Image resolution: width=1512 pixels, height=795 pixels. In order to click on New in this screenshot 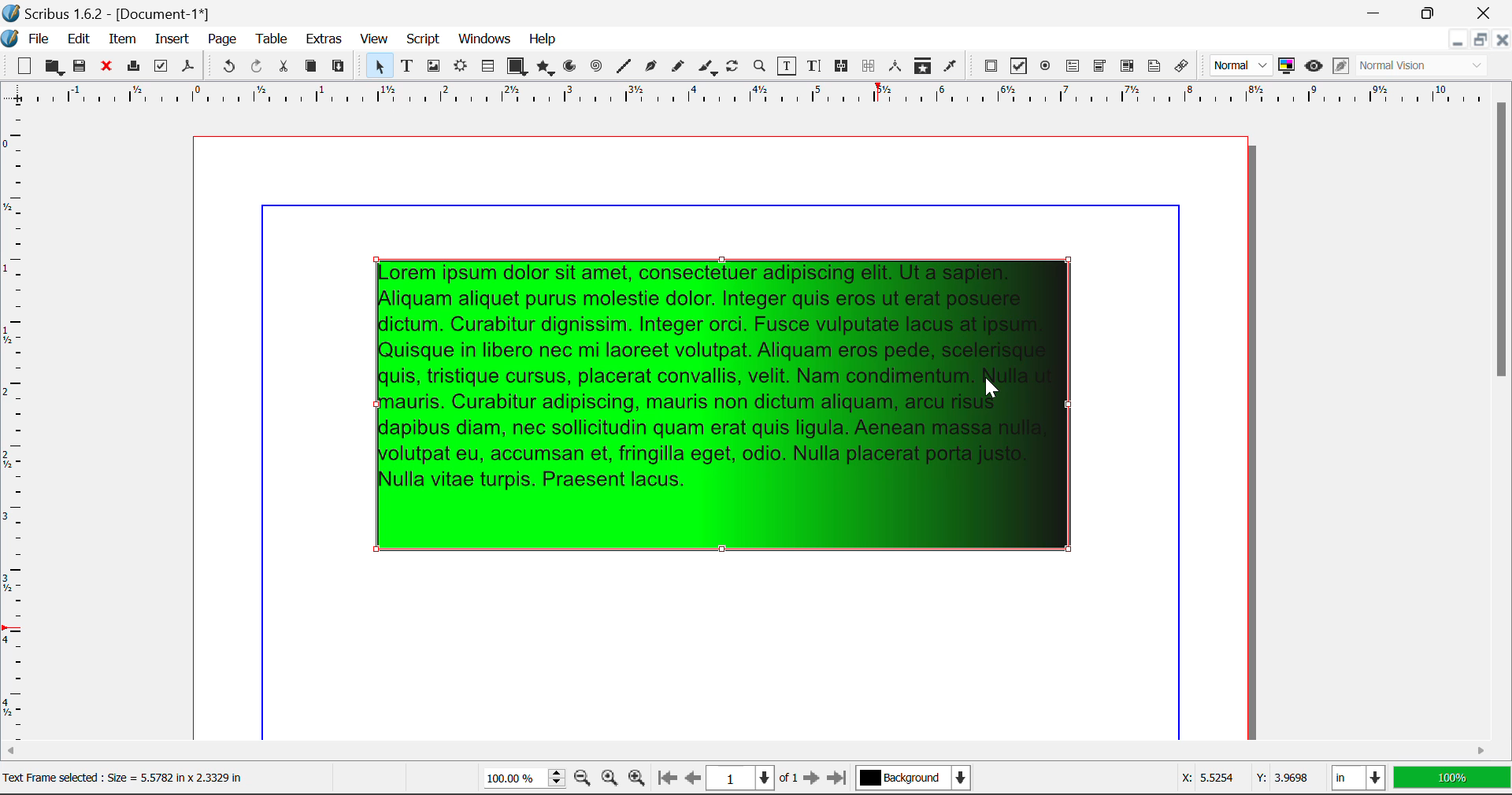, I will do `click(20, 67)`.